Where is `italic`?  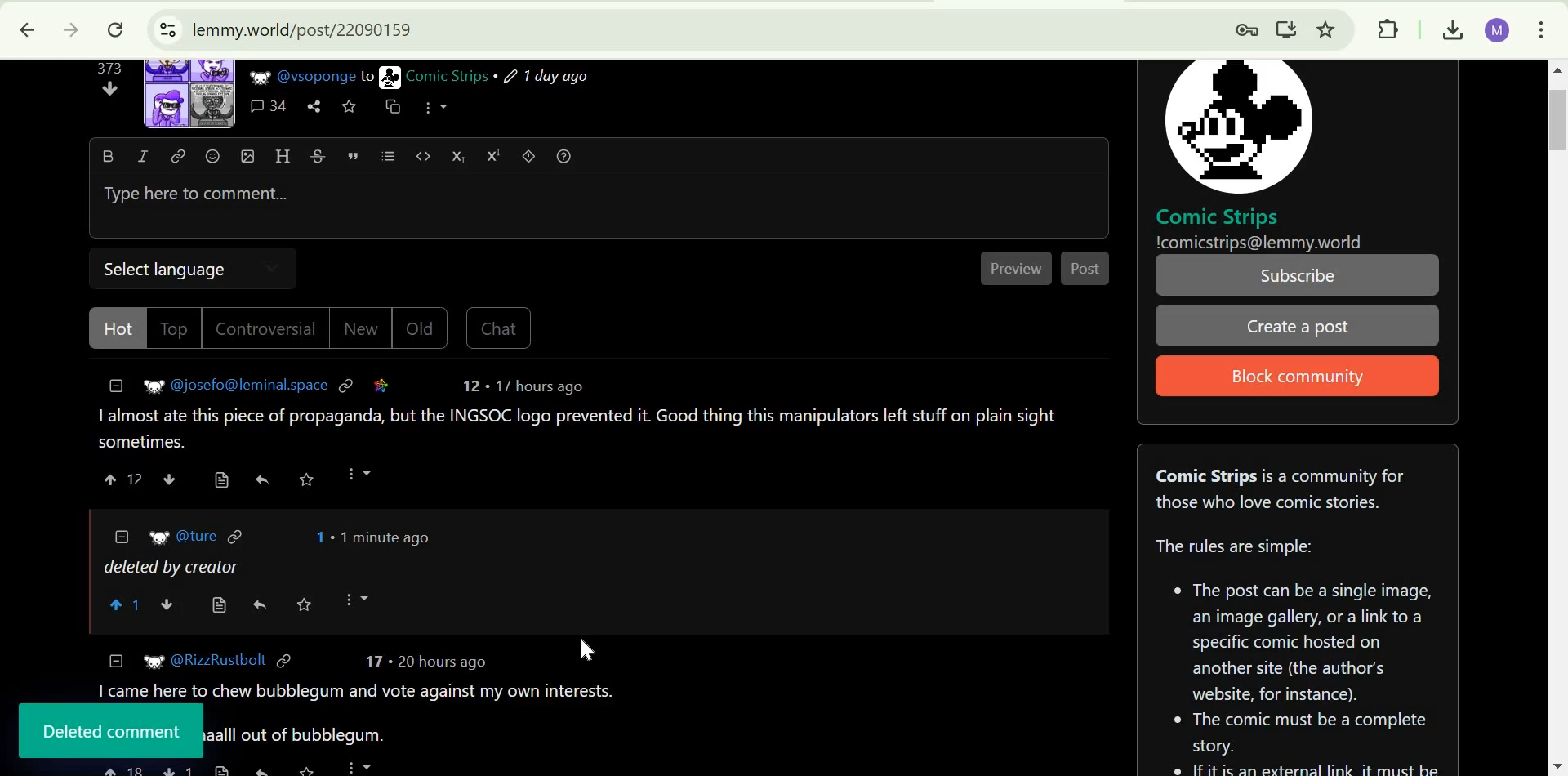 italic is located at coordinates (142, 155).